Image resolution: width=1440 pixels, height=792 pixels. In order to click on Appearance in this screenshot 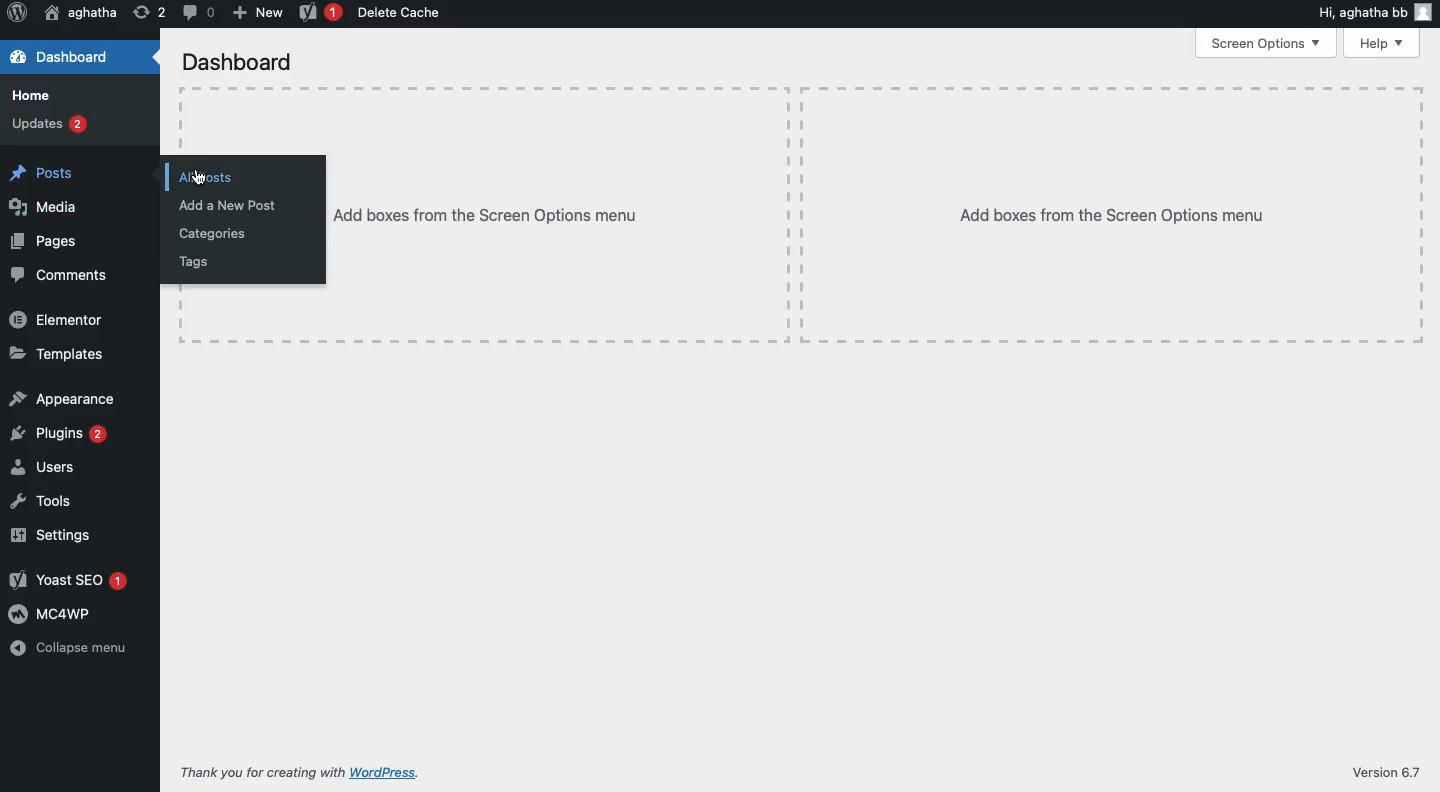, I will do `click(62, 398)`.